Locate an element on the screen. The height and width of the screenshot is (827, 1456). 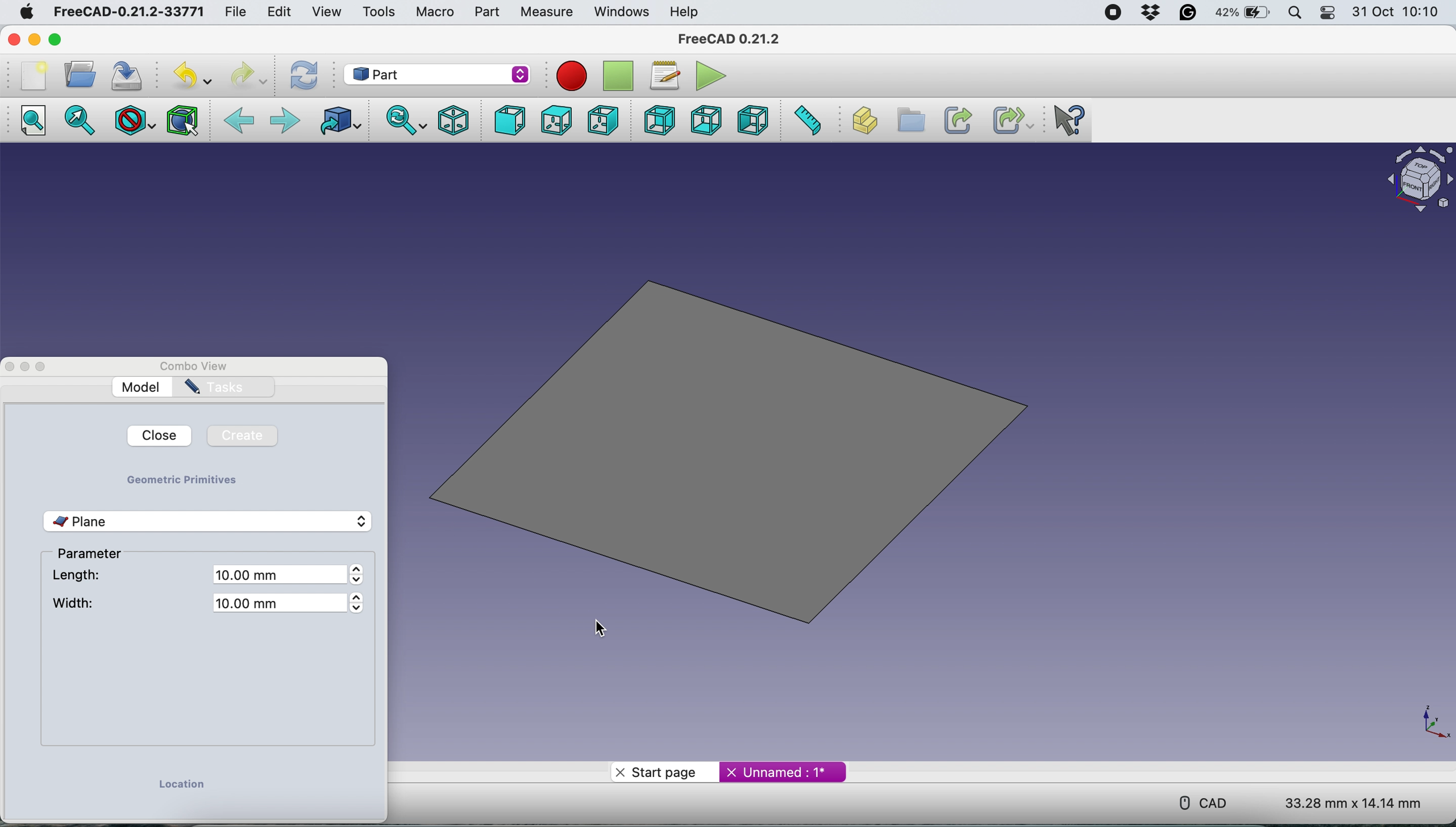
Macro is located at coordinates (438, 11).